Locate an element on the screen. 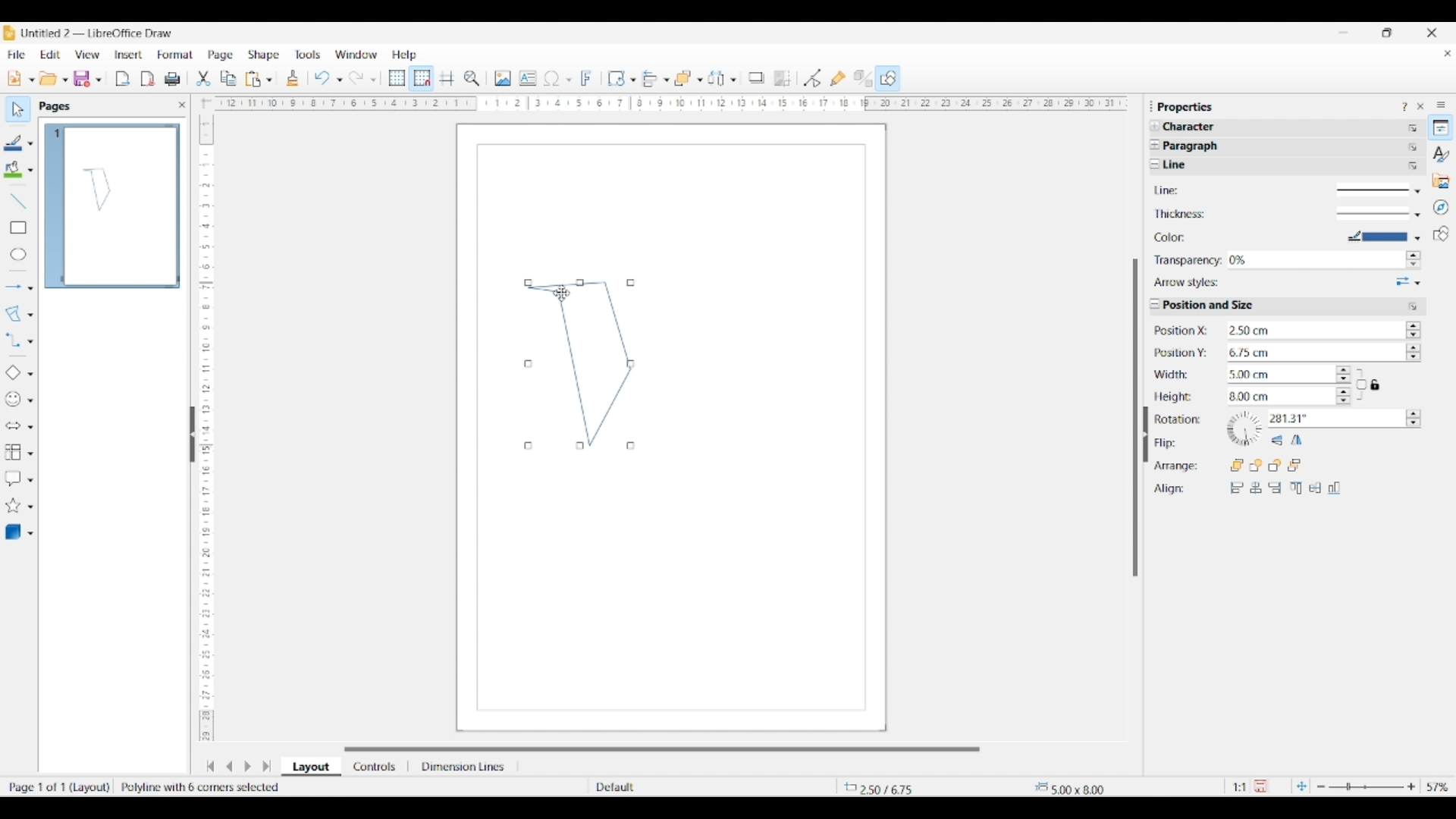  Use dial to change rotation is located at coordinates (1244, 428).